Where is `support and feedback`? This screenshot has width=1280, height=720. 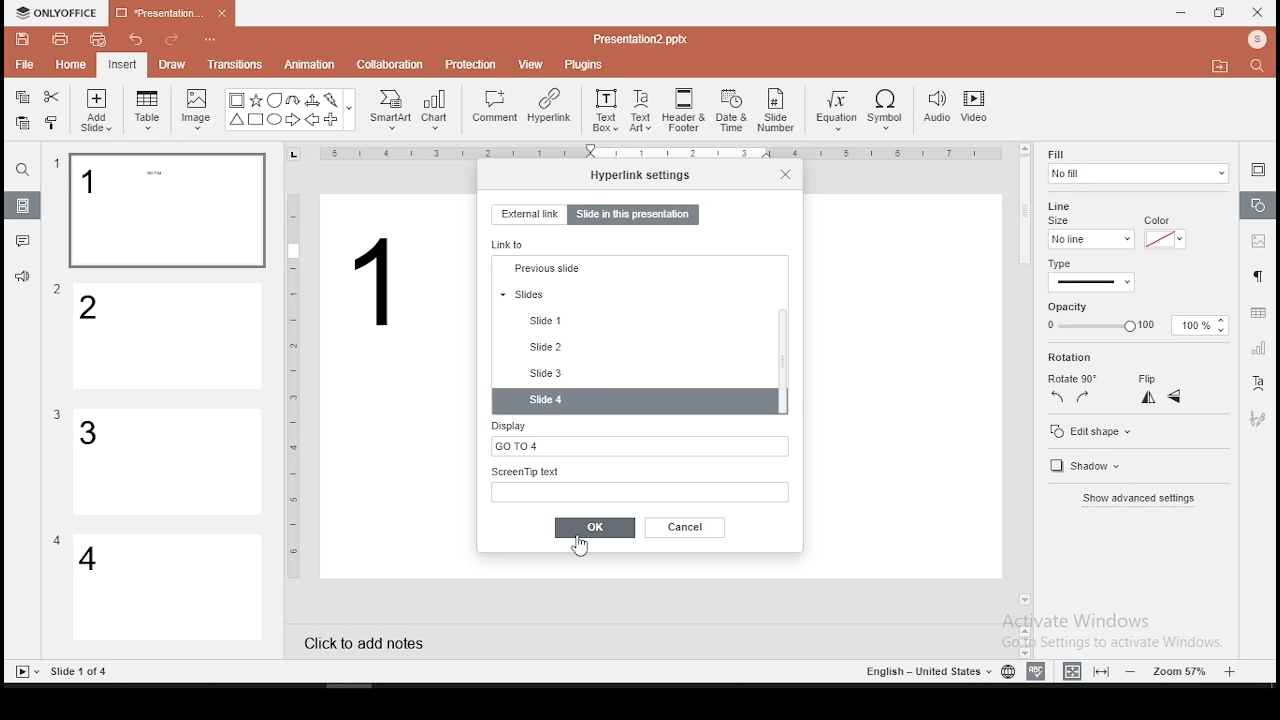
support and feedback is located at coordinates (22, 279).